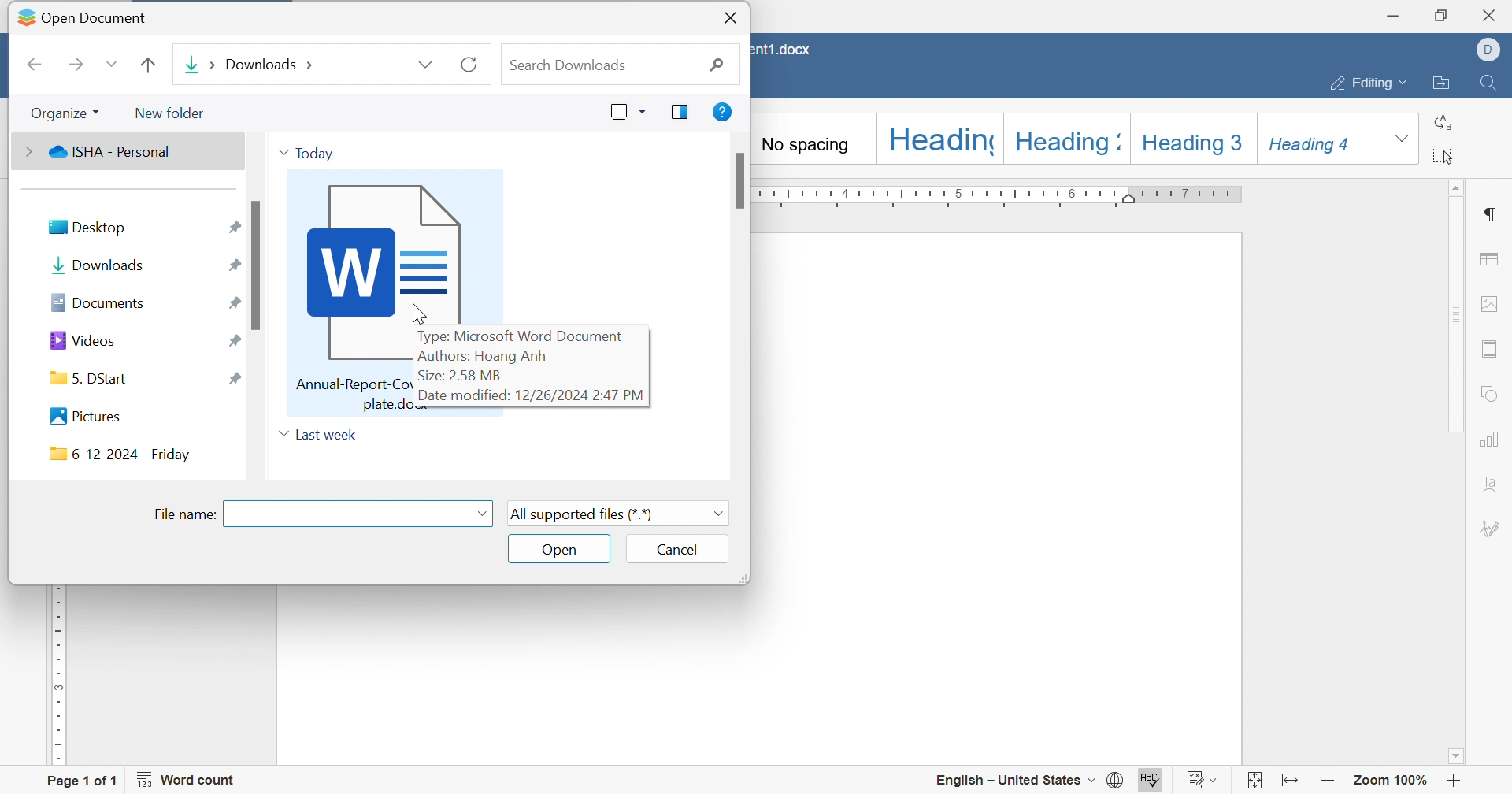 The width and height of the screenshot is (1512, 794). I want to click on drop down, so click(1403, 139).